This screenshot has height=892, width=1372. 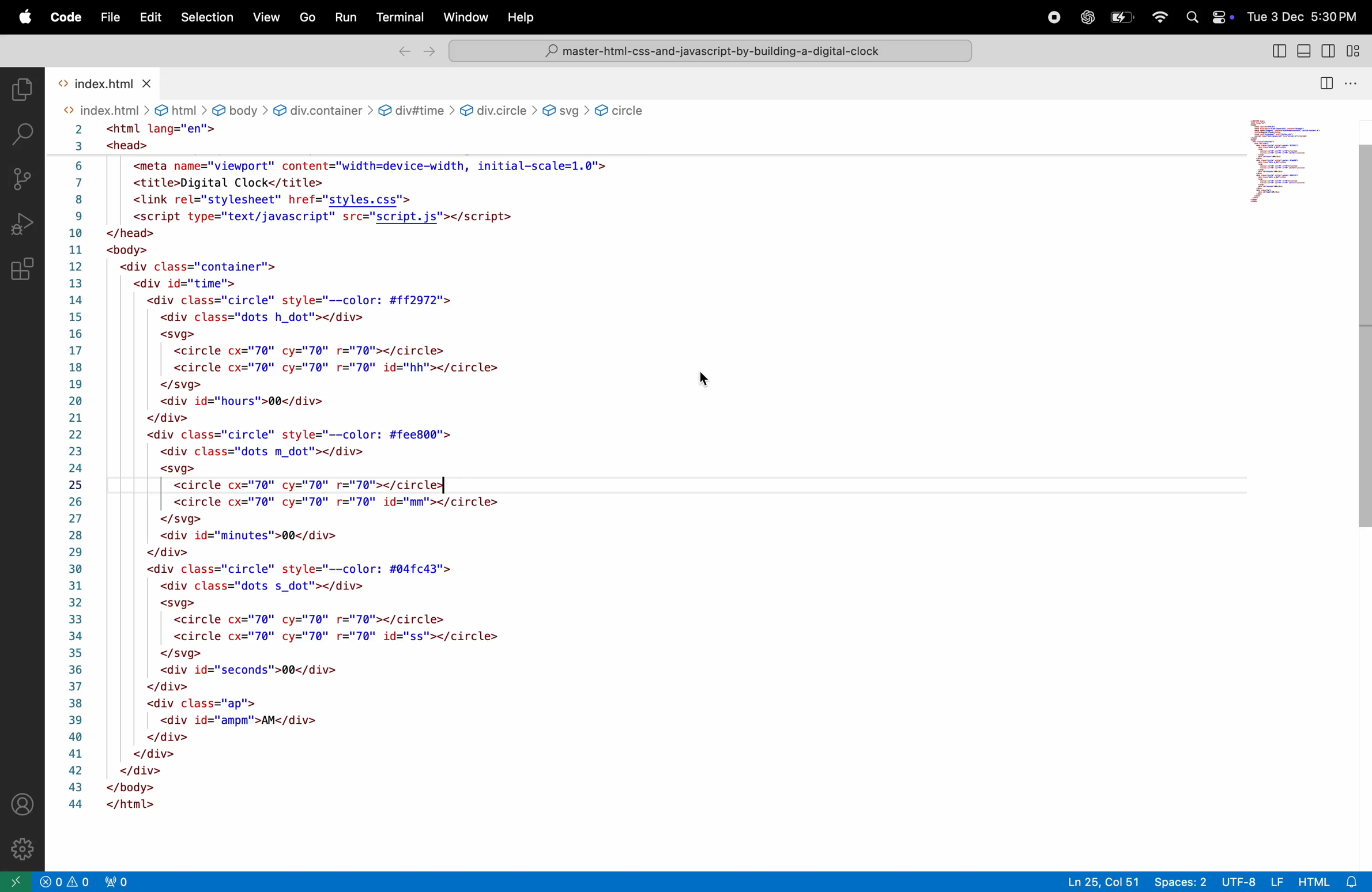 What do you see at coordinates (1087, 16) in the screenshot?
I see `chatgpt` at bounding box center [1087, 16].